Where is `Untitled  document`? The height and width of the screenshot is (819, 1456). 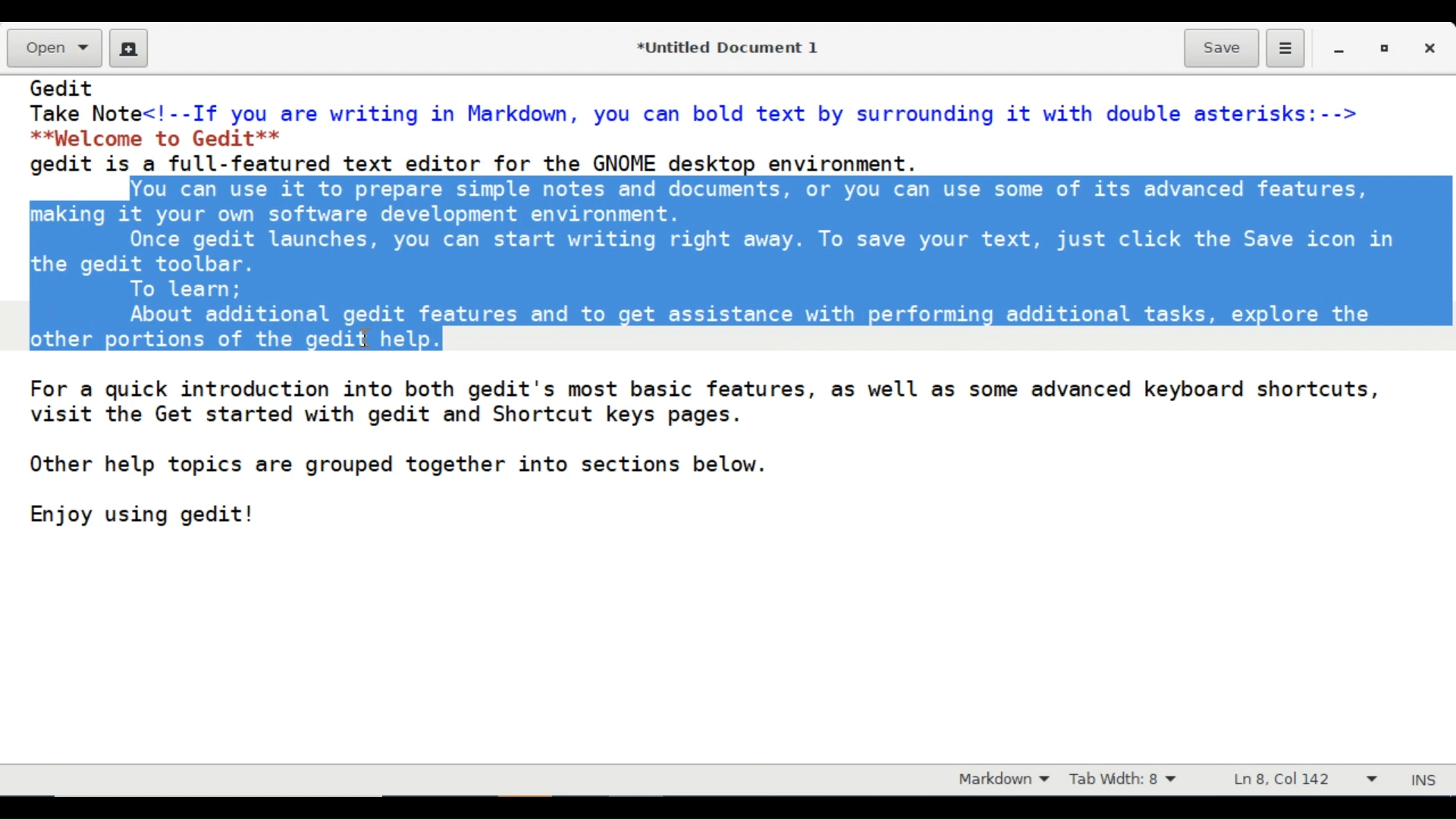
Untitled  document is located at coordinates (724, 46).